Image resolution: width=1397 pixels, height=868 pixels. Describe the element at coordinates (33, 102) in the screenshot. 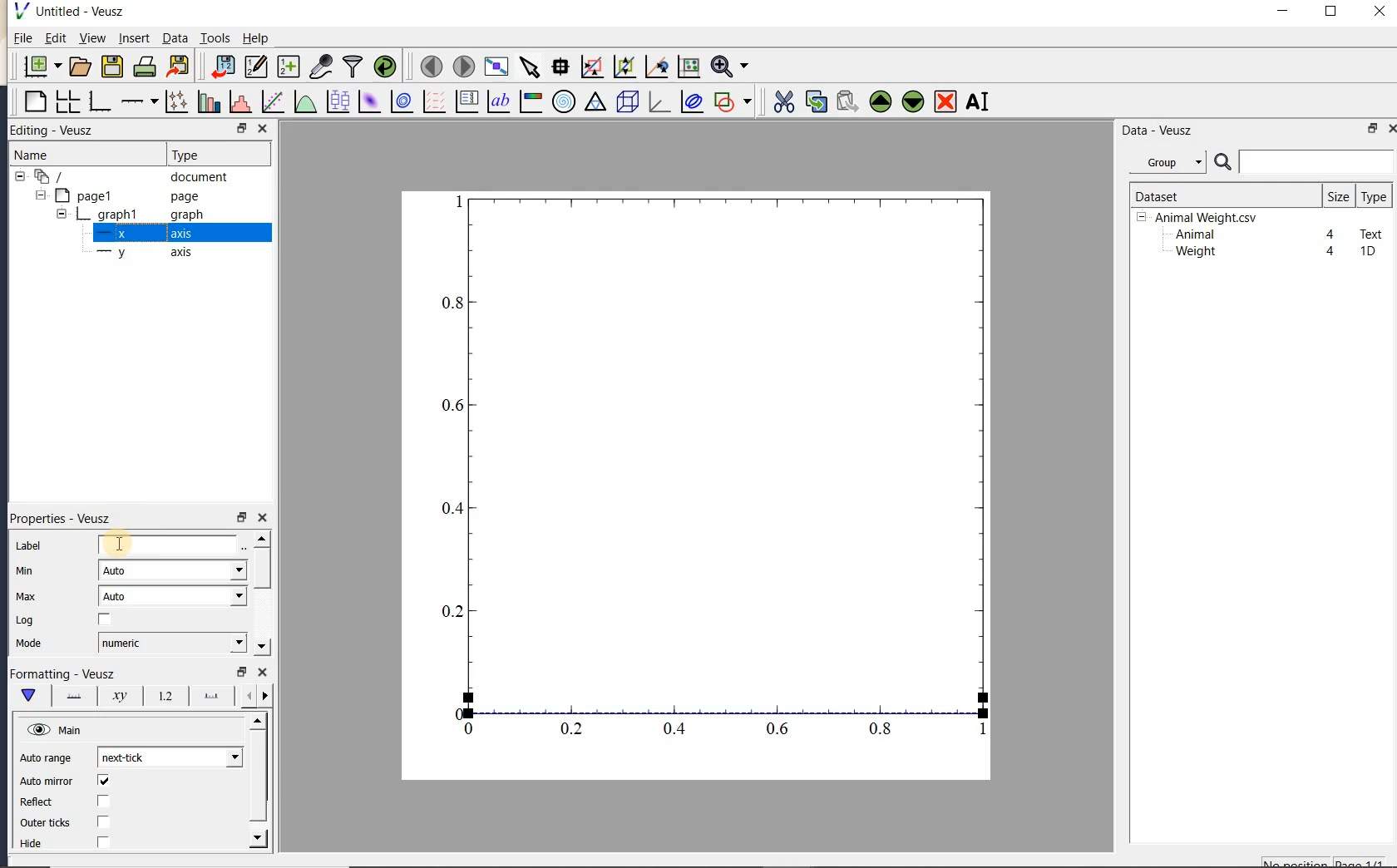

I see `blank page` at that location.